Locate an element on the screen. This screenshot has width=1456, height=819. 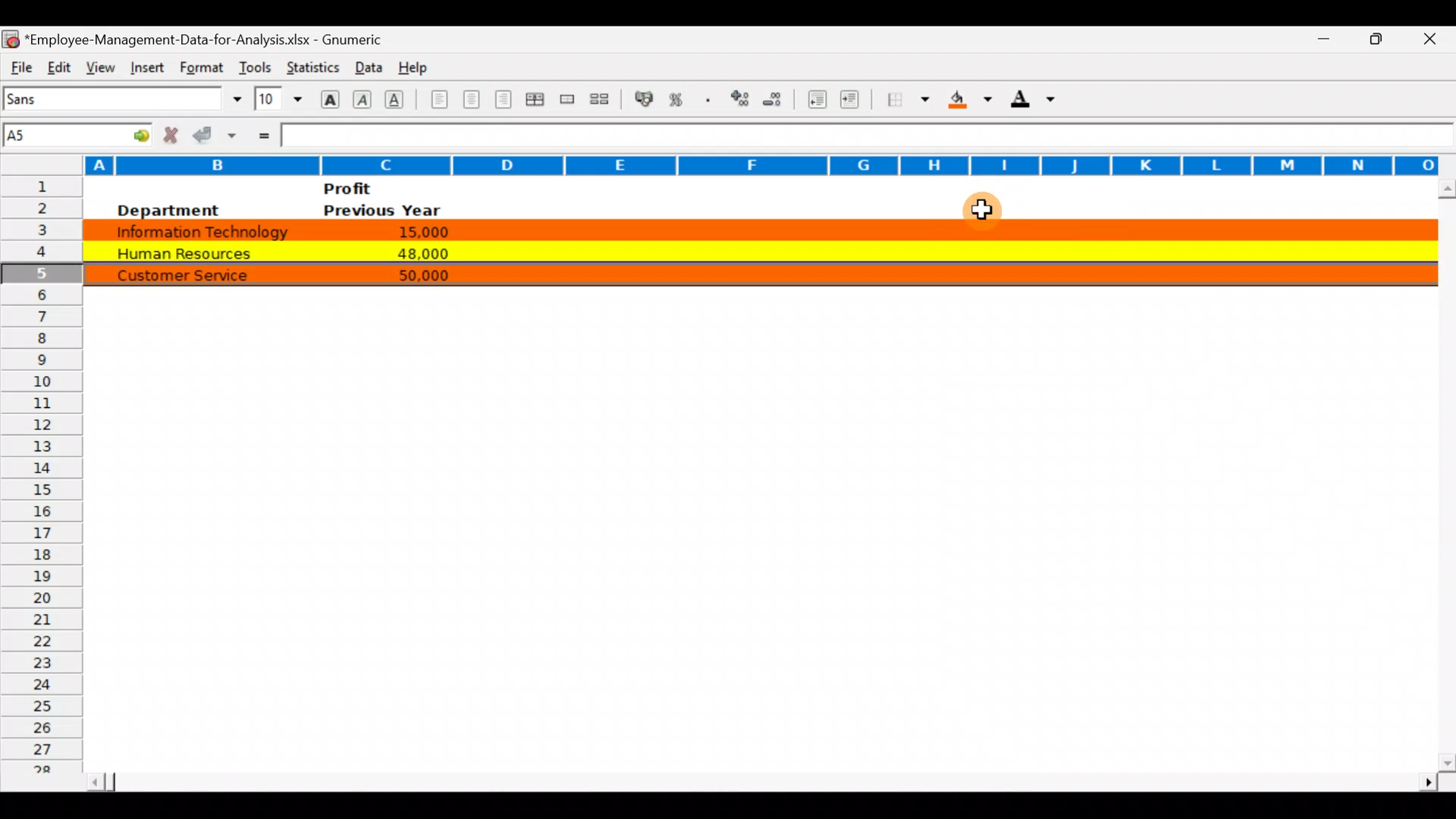
Foreground is located at coordinates (1038, 104).